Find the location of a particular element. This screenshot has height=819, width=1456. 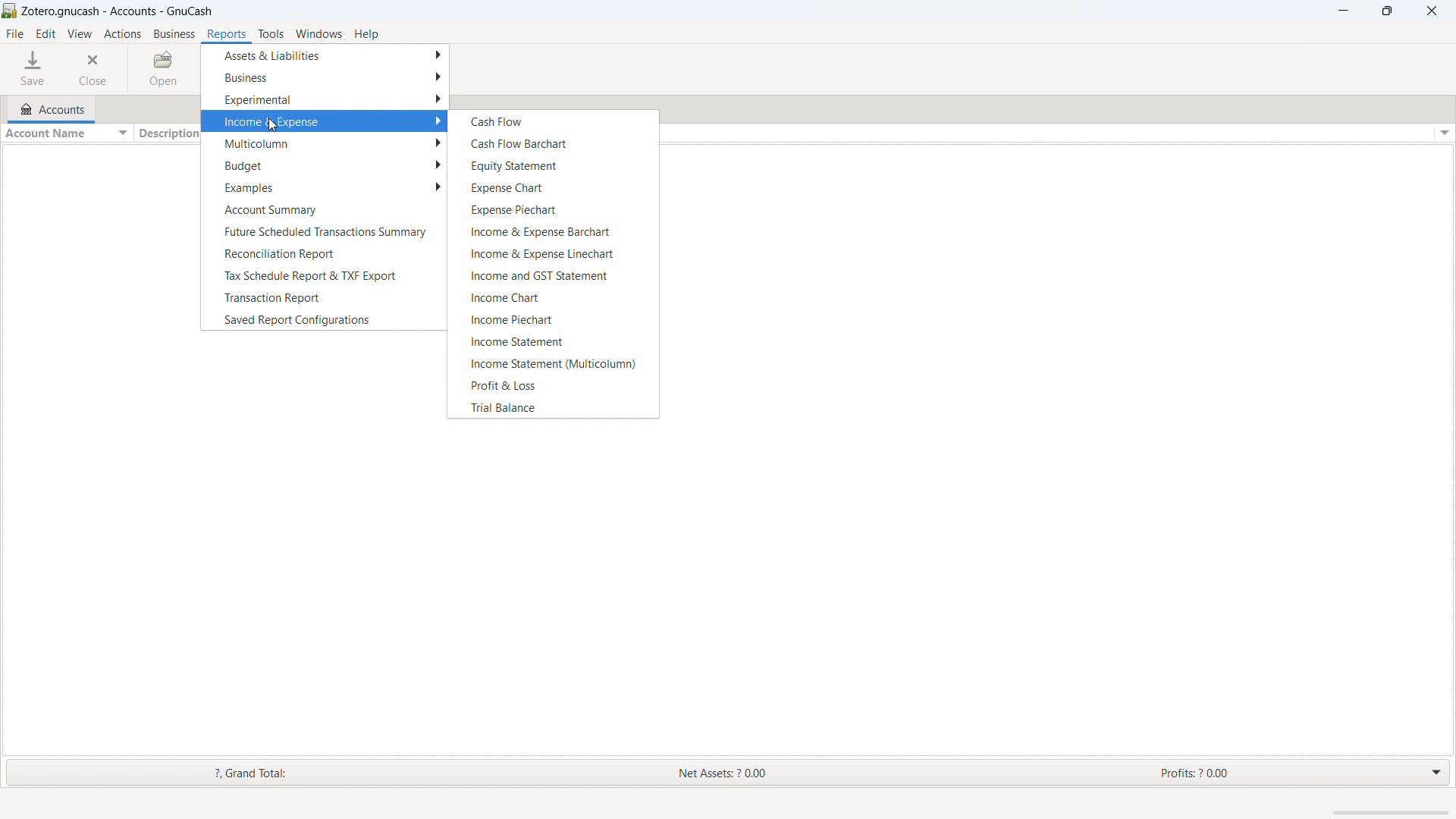

edit is located at coordinates (46, 33).